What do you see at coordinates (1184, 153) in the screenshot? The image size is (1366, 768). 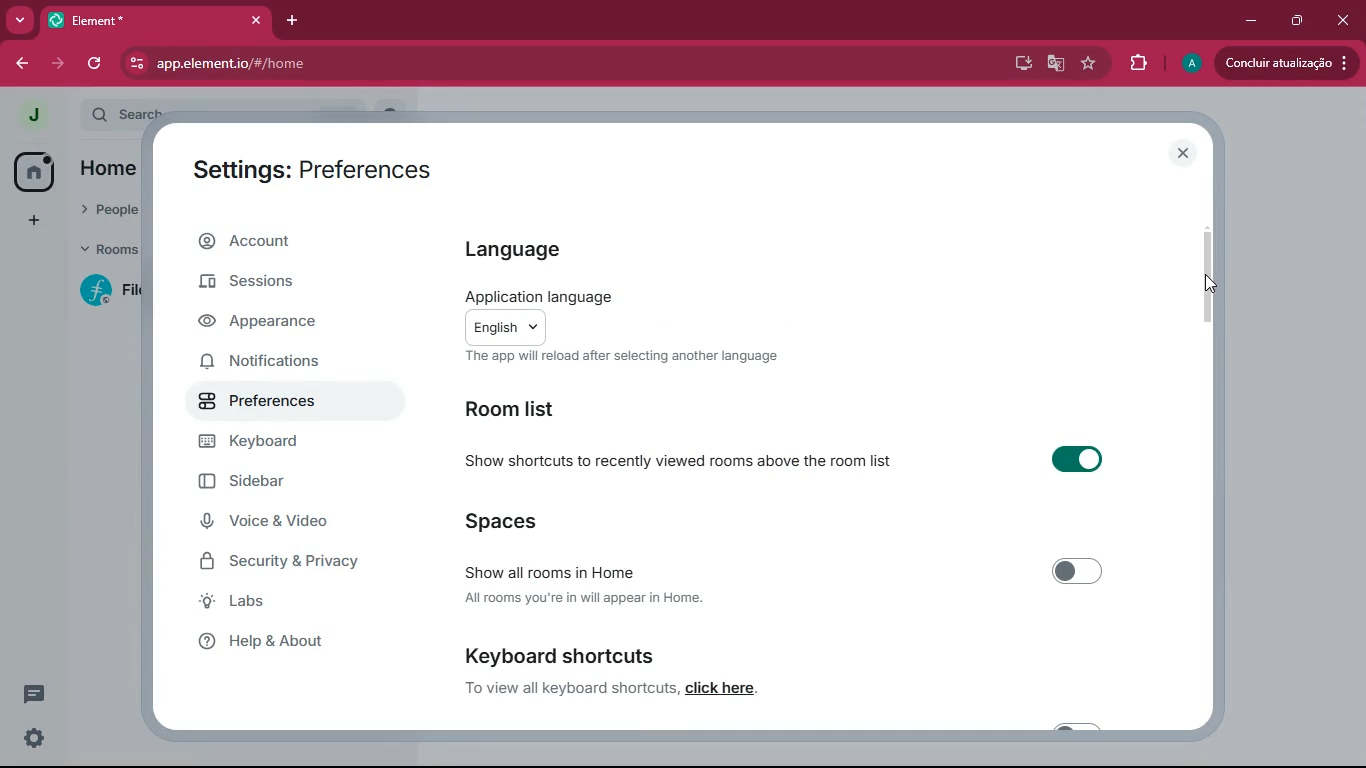 I see `close` at bounding box center [1184, 153].